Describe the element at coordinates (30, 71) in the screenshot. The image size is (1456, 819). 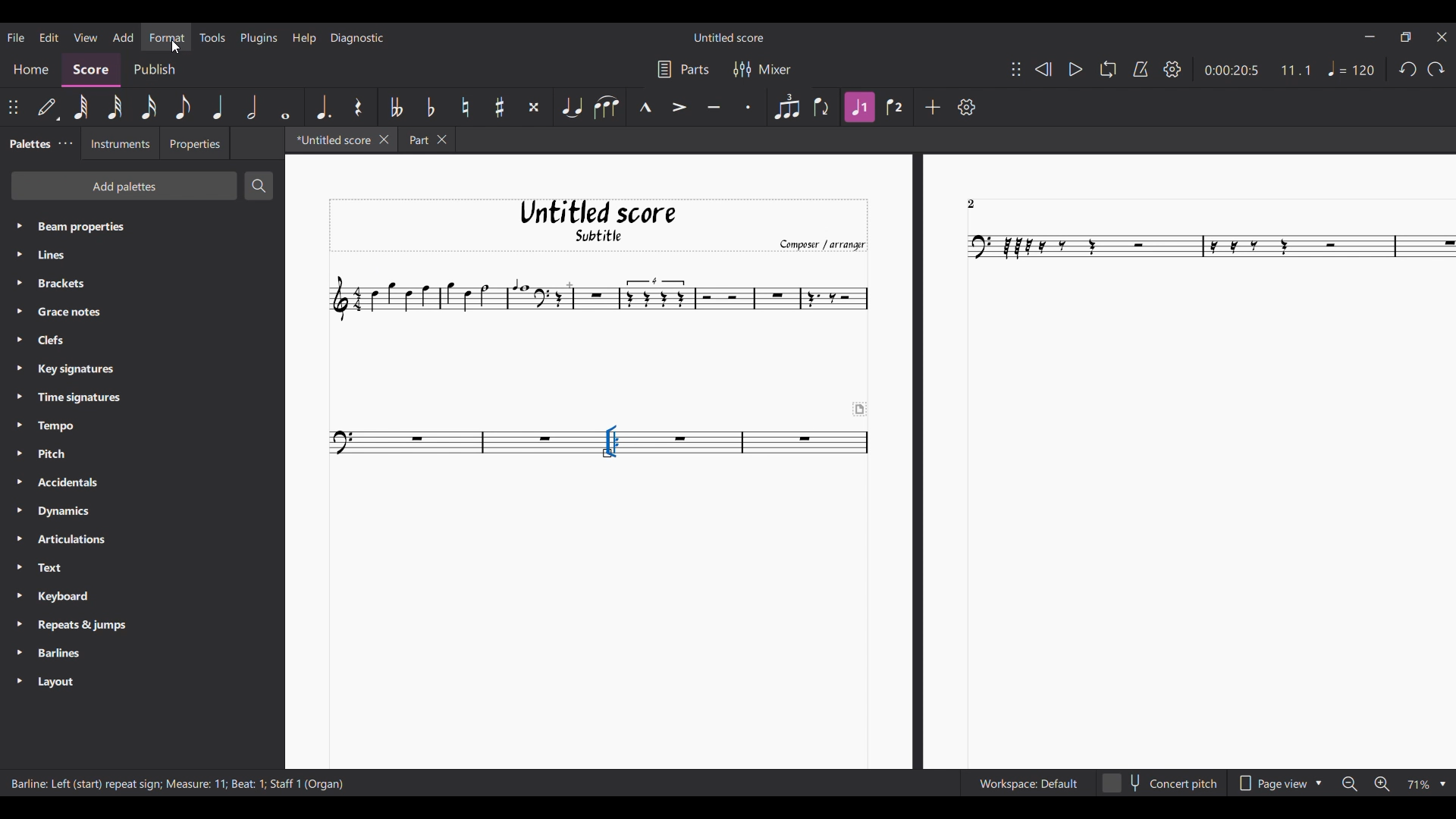
I see `Home` at that location.